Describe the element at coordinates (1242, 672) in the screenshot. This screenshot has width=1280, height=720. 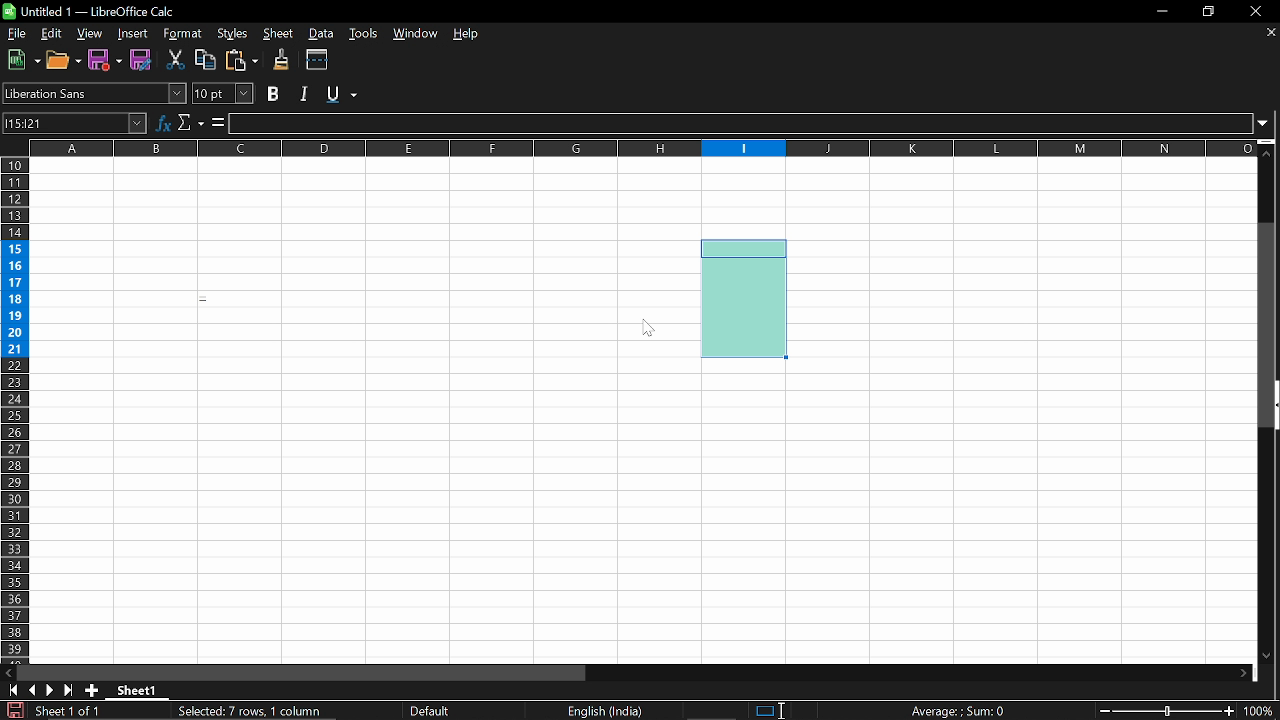
I see `Move down` at that location.